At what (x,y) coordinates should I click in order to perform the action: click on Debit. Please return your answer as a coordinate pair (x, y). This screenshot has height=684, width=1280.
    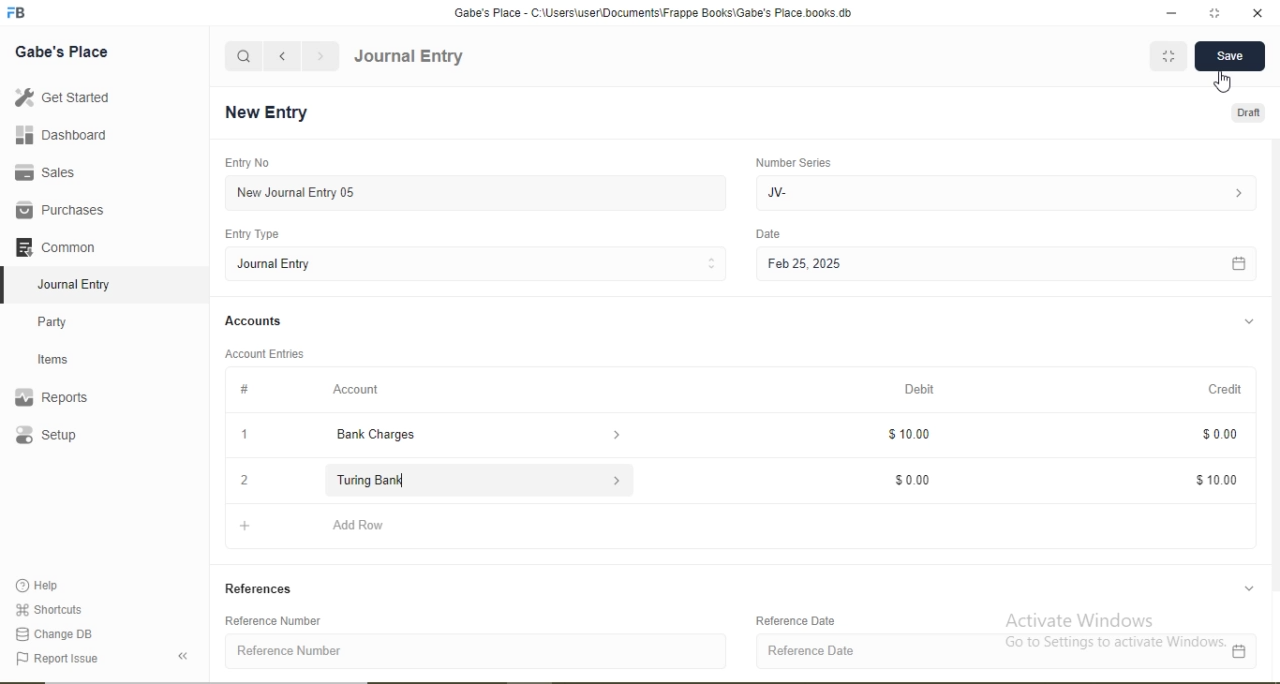
    Looking at the image, I should click on (922, 390).